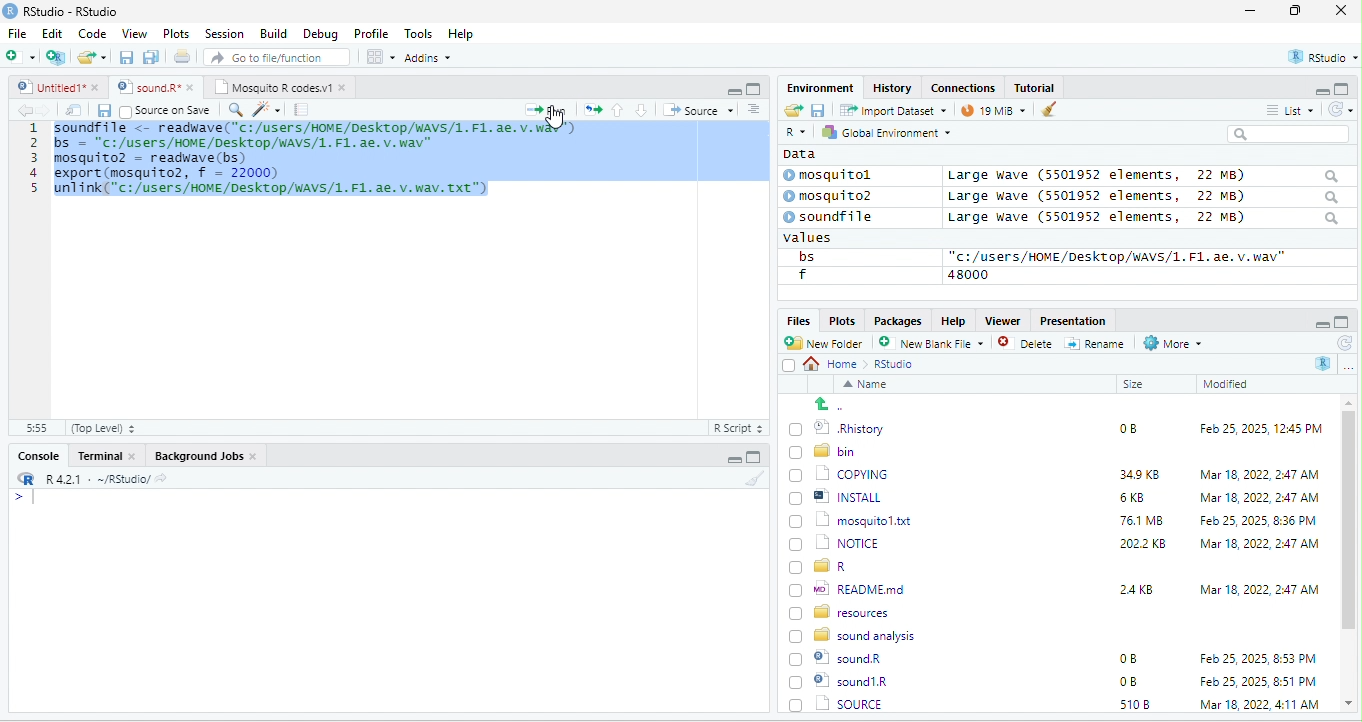  What do you see at coordinates (820, 87) in the screenshot?
I see `Environment` at bounding box center [820, 87].